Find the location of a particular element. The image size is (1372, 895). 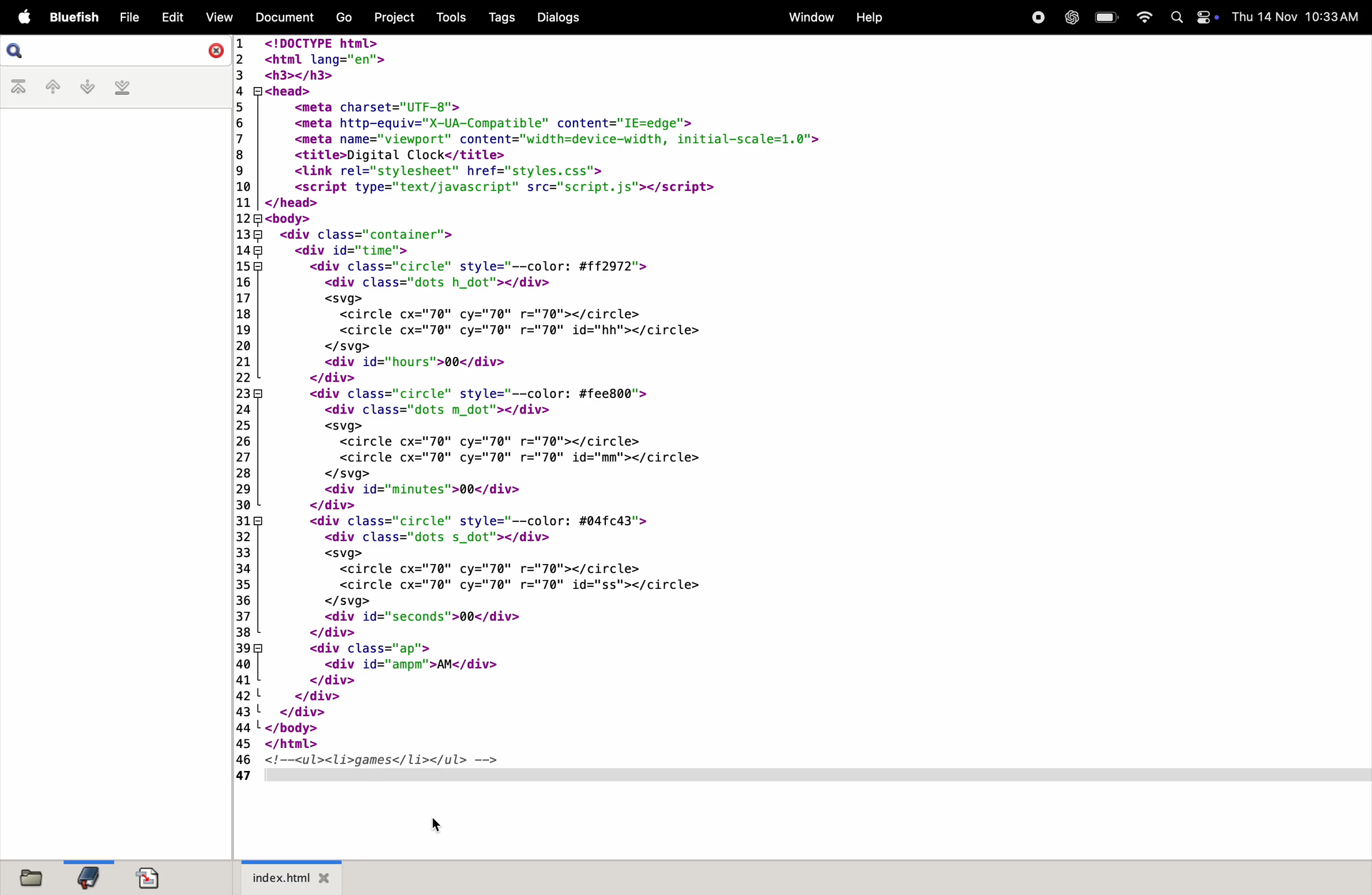

code for inserting a comment in HTML is located at coordinates (661, 410).